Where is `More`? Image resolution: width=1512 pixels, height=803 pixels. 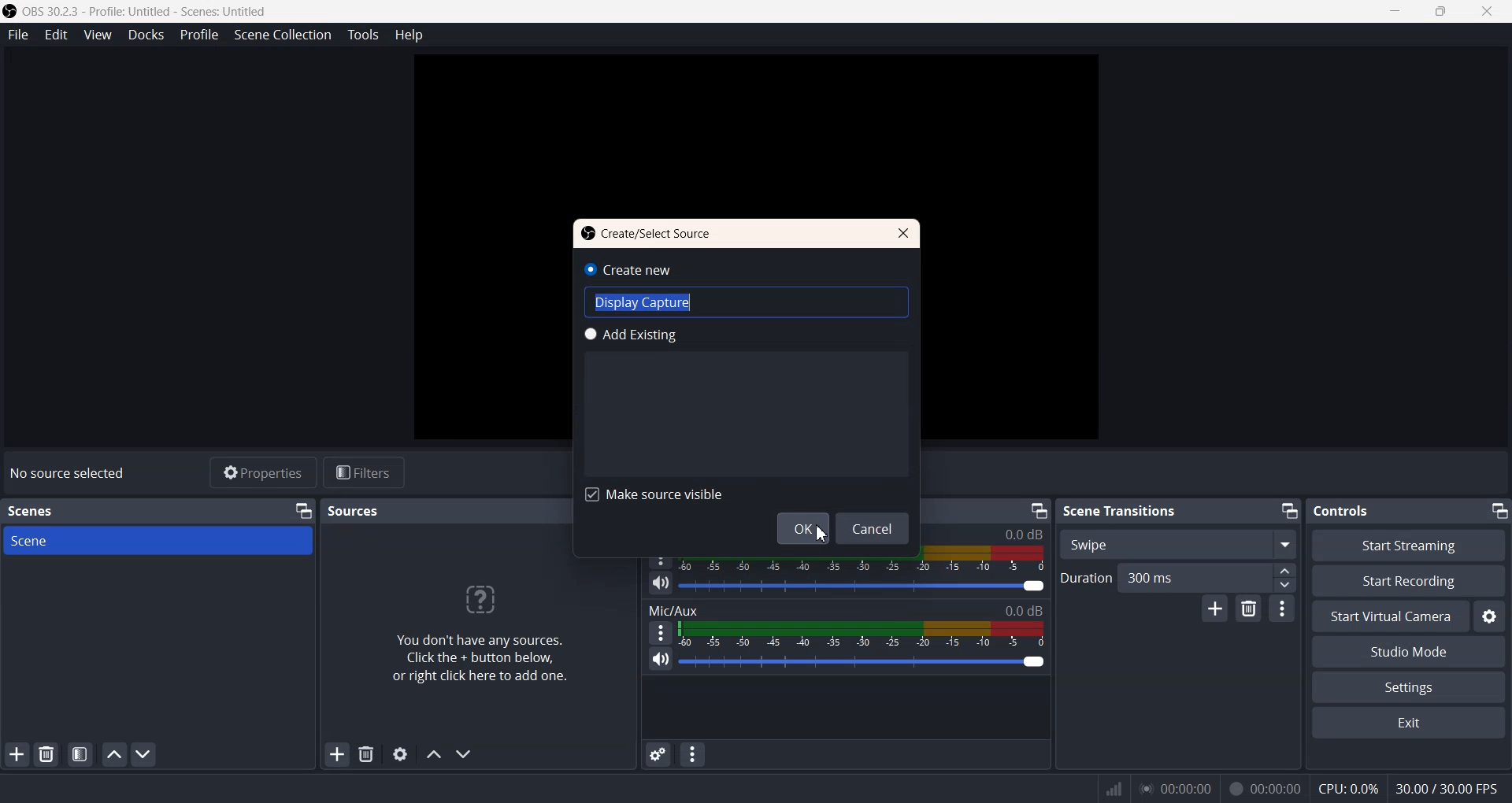 More is located at coordinates (658, 632).